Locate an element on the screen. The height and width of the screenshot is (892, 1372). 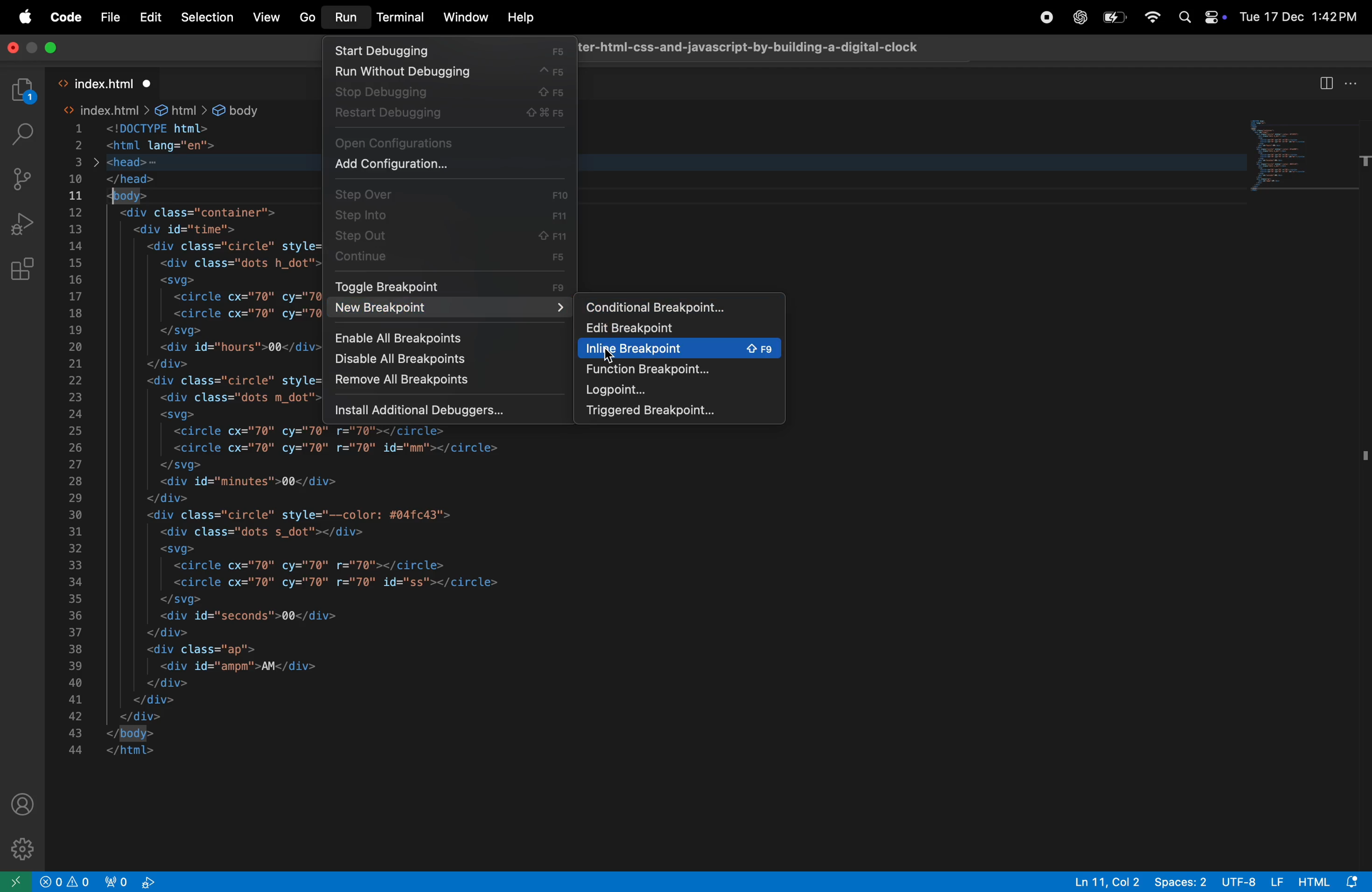
help is located at coordinates (519, 17).